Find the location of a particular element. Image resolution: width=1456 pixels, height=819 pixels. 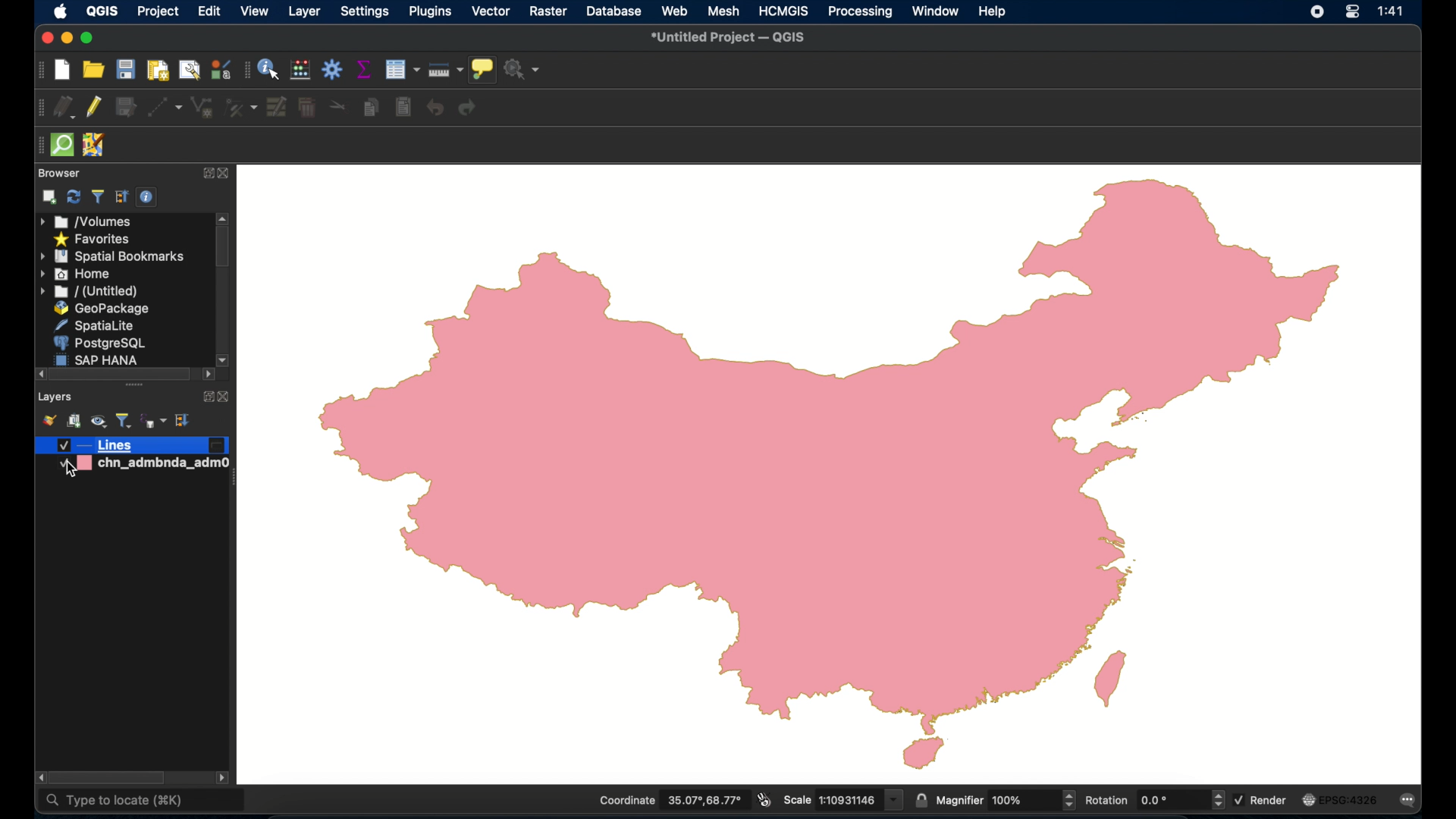

drag handles is located at coordinates (136, 387).